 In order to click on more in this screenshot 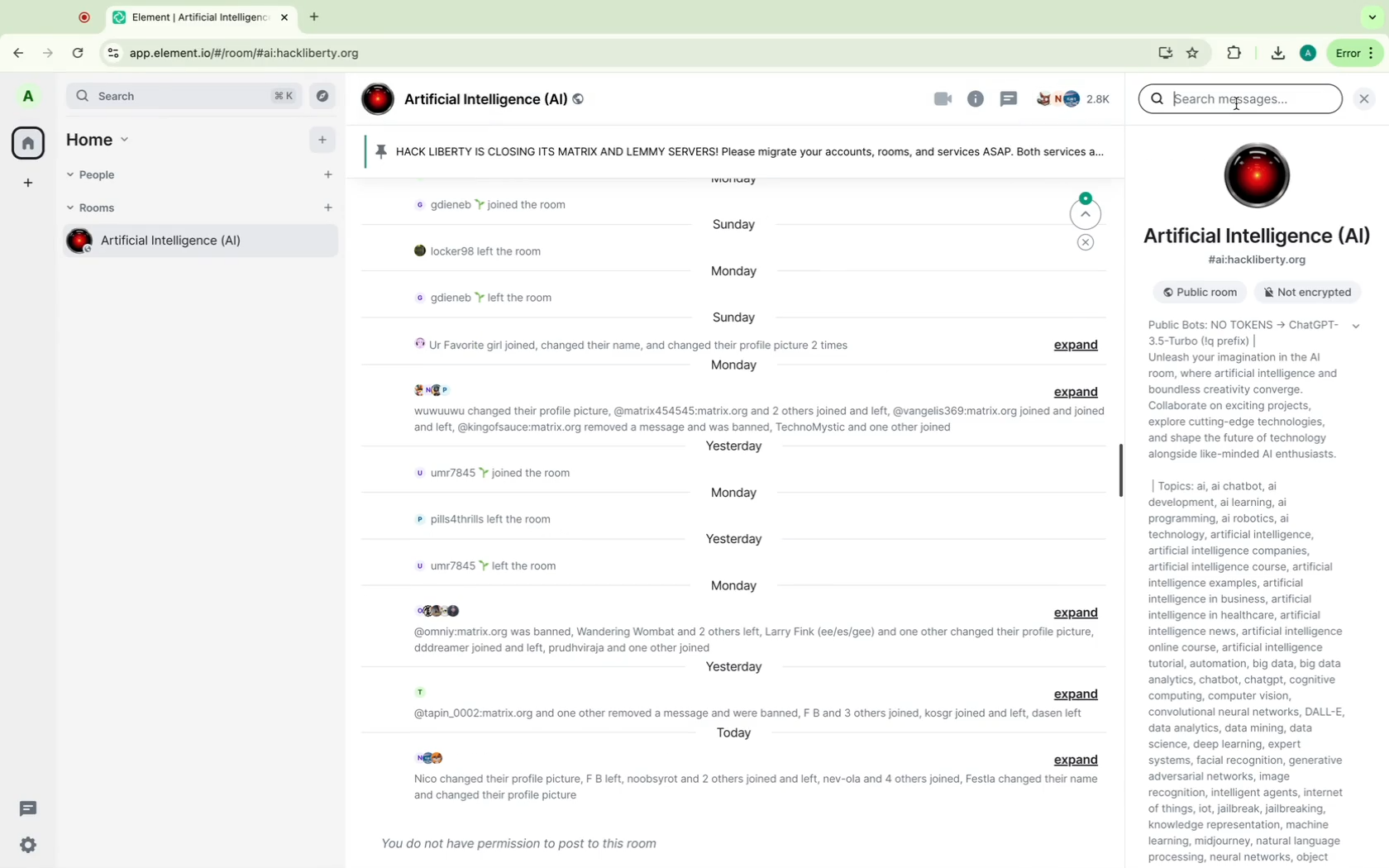, I will do `click(1353, 53)`.